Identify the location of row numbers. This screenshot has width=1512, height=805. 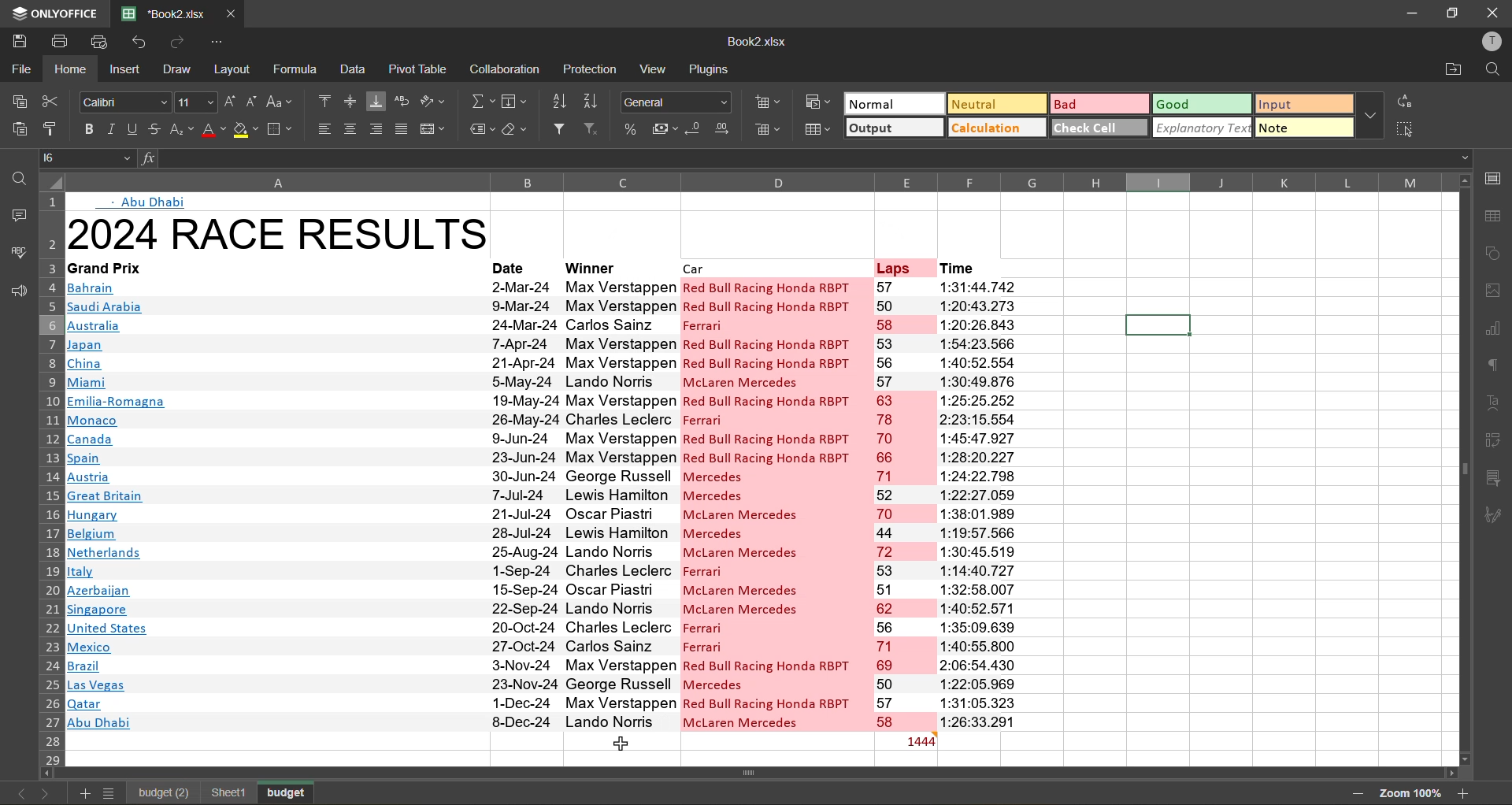
(49, 484).